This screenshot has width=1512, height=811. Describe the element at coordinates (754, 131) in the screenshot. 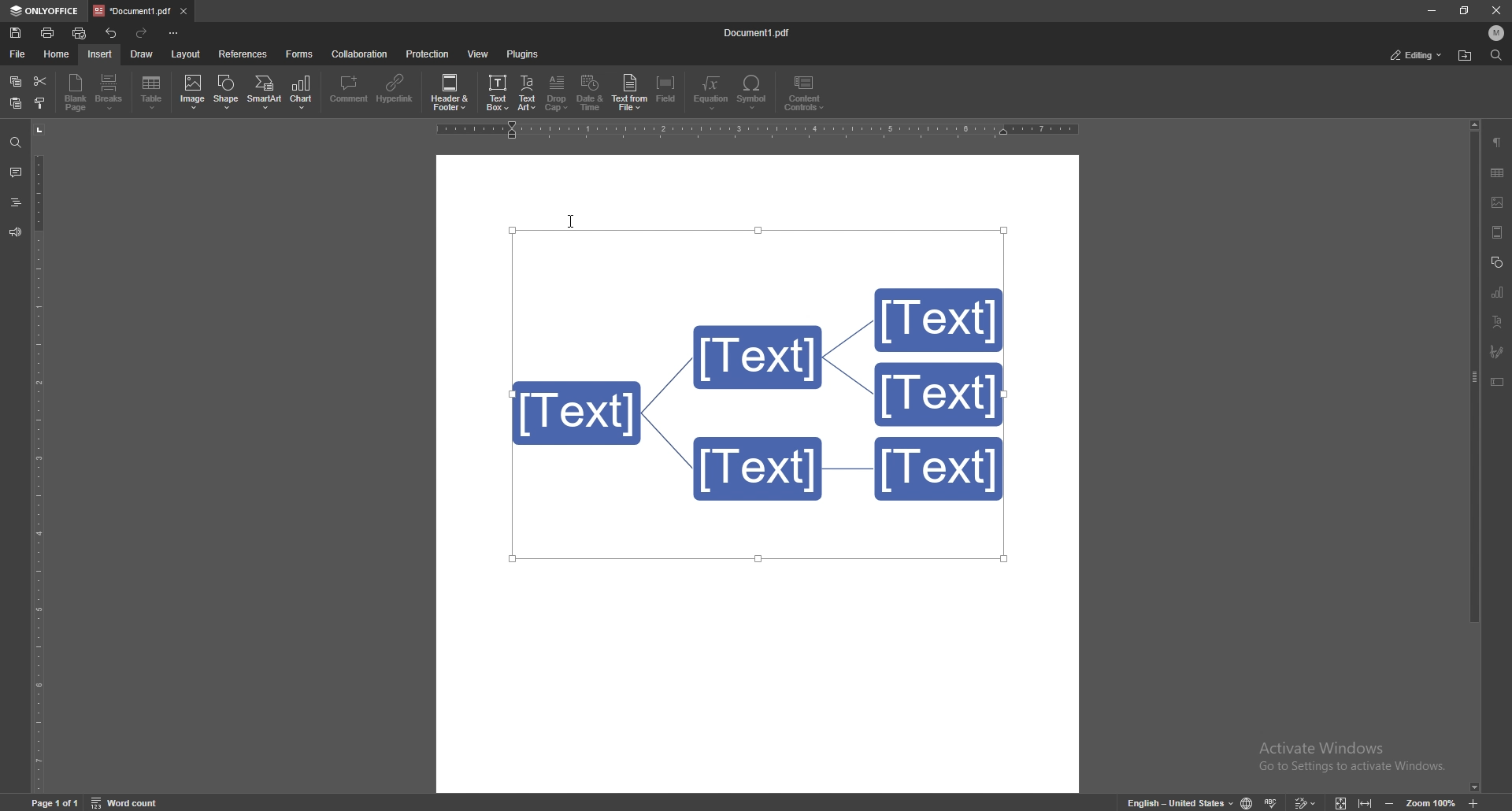

I see `horizontal scale` at that location.